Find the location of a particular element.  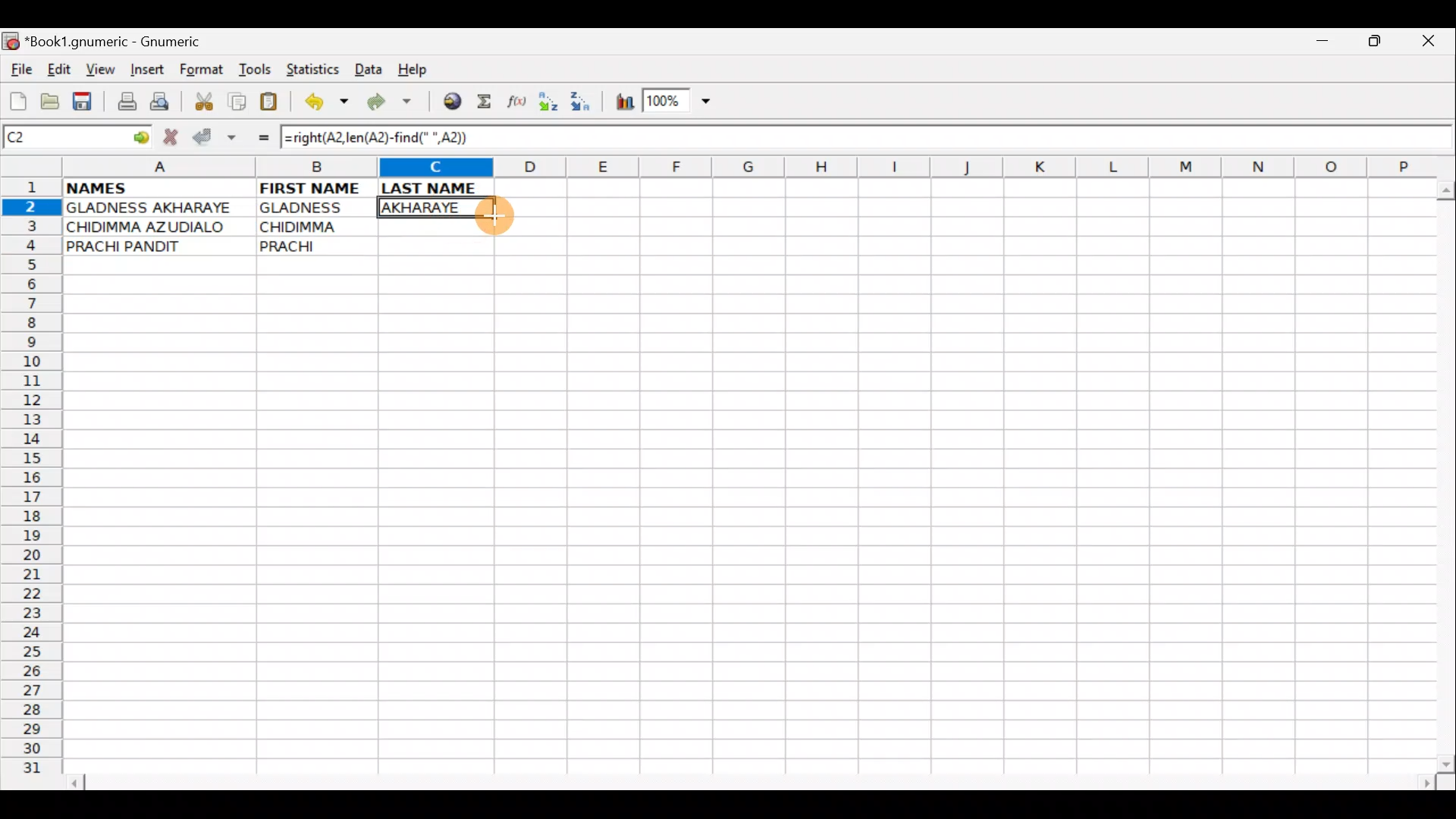

Print file is located at coordinates (123, 103).